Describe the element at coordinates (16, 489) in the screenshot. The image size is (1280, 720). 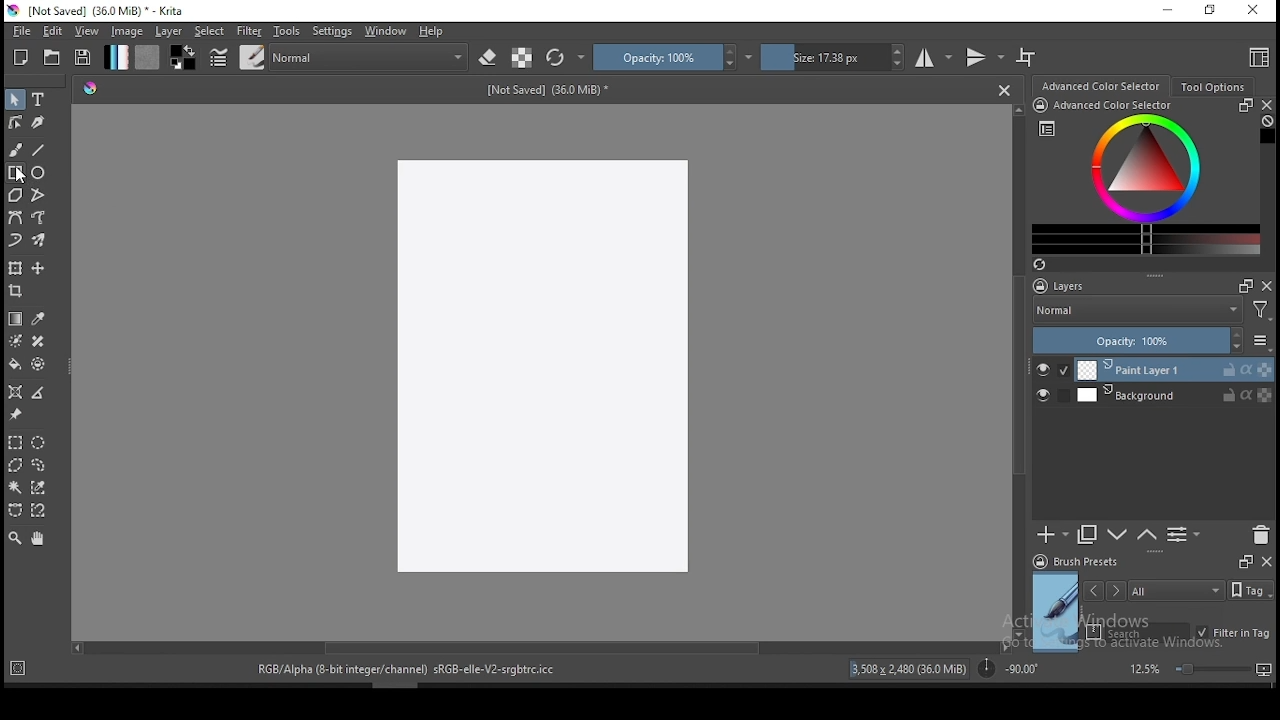
I see `contiguous selection tool` at that location.